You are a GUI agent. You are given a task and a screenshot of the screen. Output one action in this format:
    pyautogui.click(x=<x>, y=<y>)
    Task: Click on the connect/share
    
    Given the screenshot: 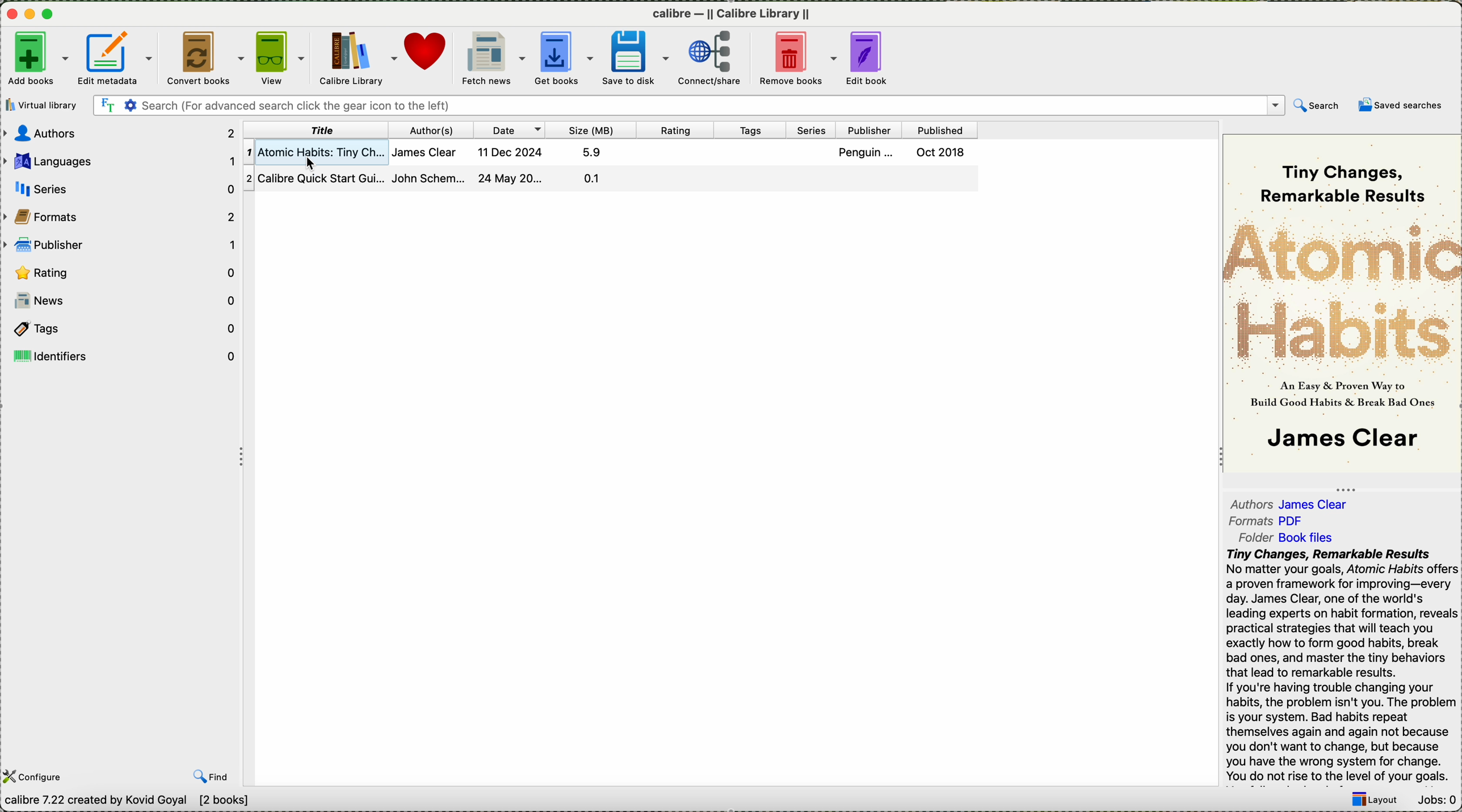 What is the action you would take?
    pyautogui.click(x=712, y=58)
    